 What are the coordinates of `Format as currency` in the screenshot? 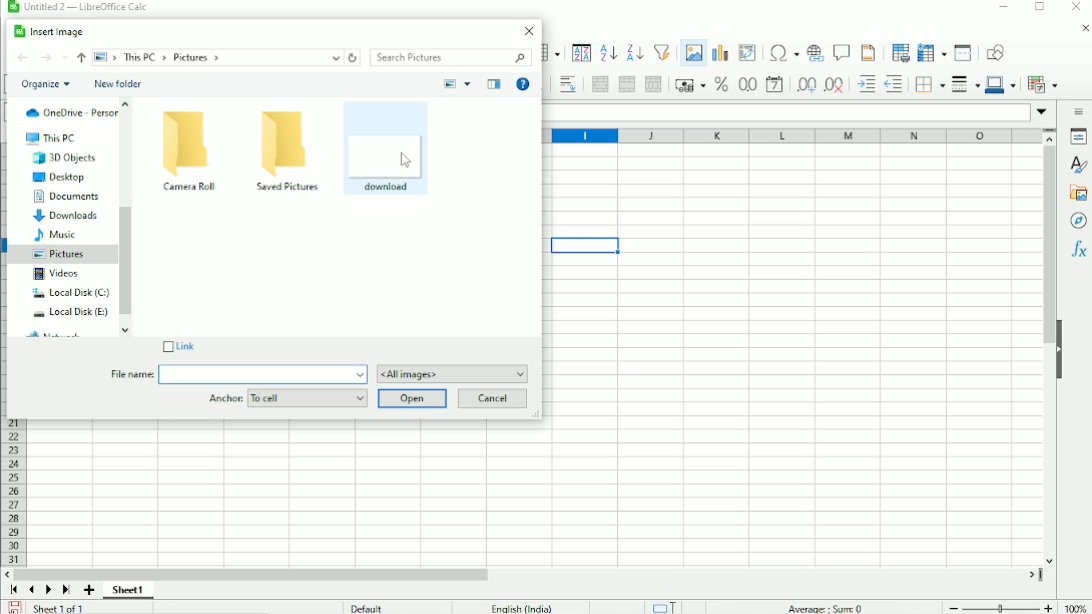 It's located at (688, 86).